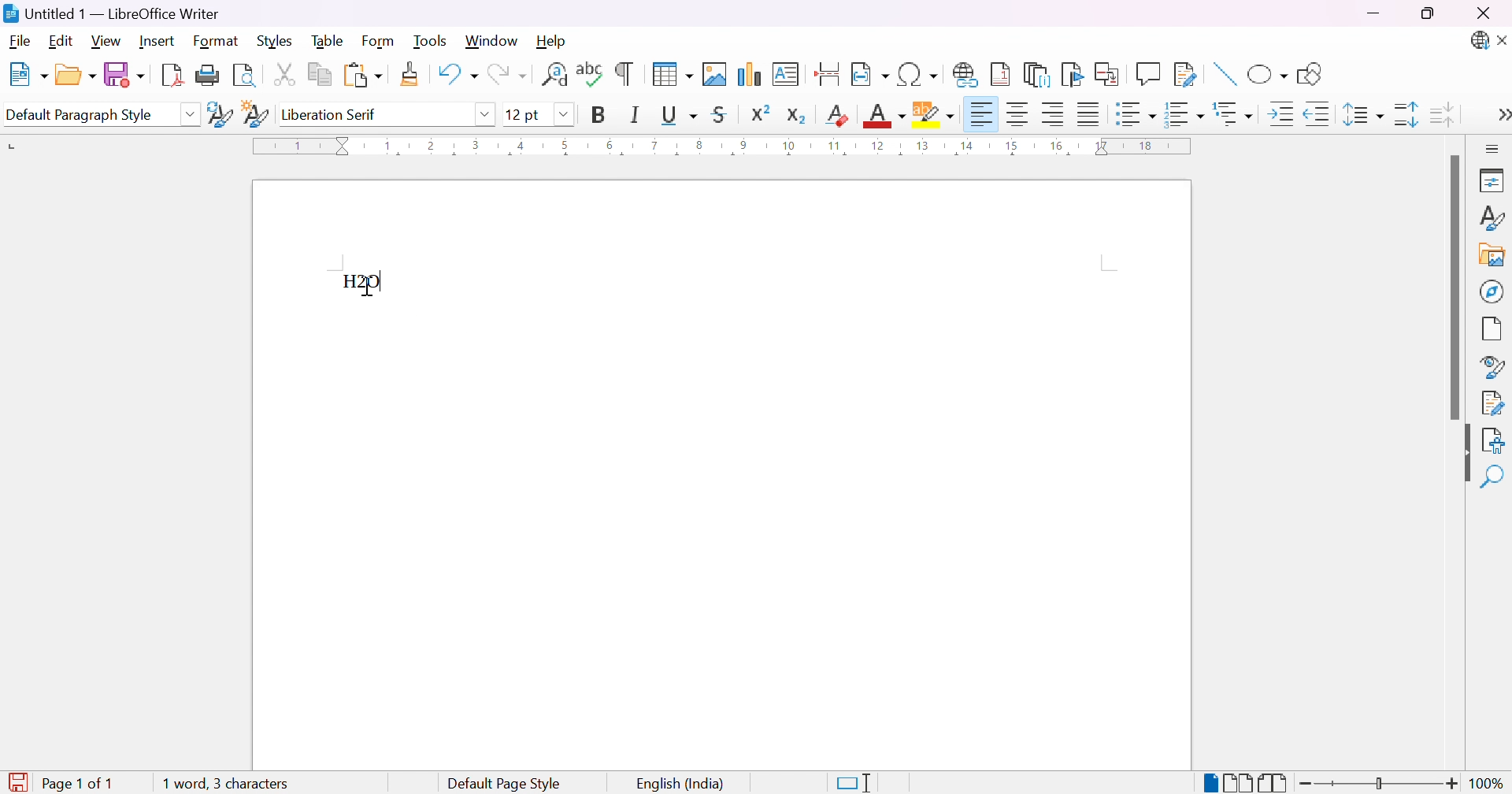 This screenshot has width=1512, height=794. What do you see at coordinates (246, 76) in the screenshot?
I see `Toggle print preview` at bounding box center [246, 76].